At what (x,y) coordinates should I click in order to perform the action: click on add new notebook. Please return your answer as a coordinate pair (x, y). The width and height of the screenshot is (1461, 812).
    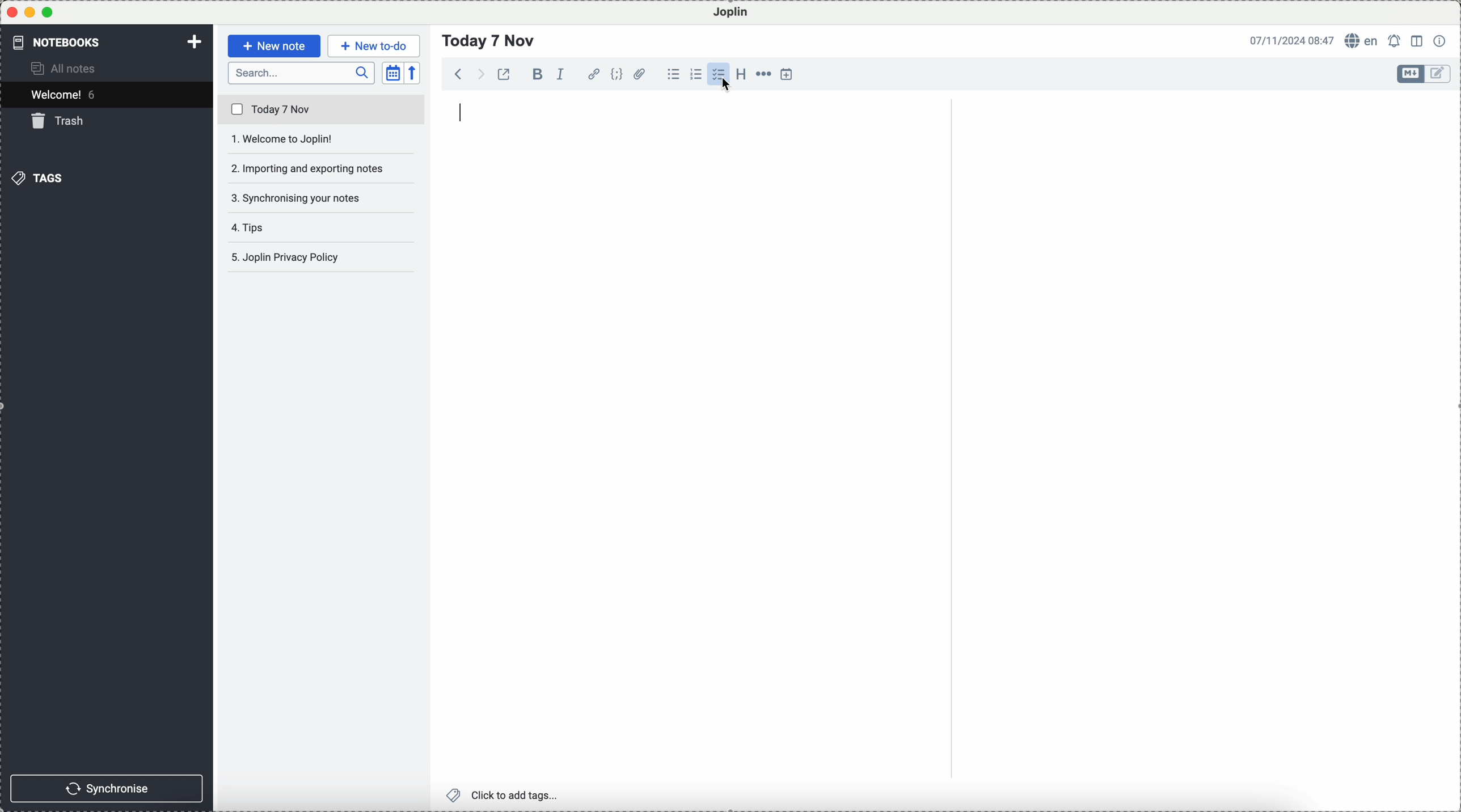
    Looking at the image, I should click on (195, 43).